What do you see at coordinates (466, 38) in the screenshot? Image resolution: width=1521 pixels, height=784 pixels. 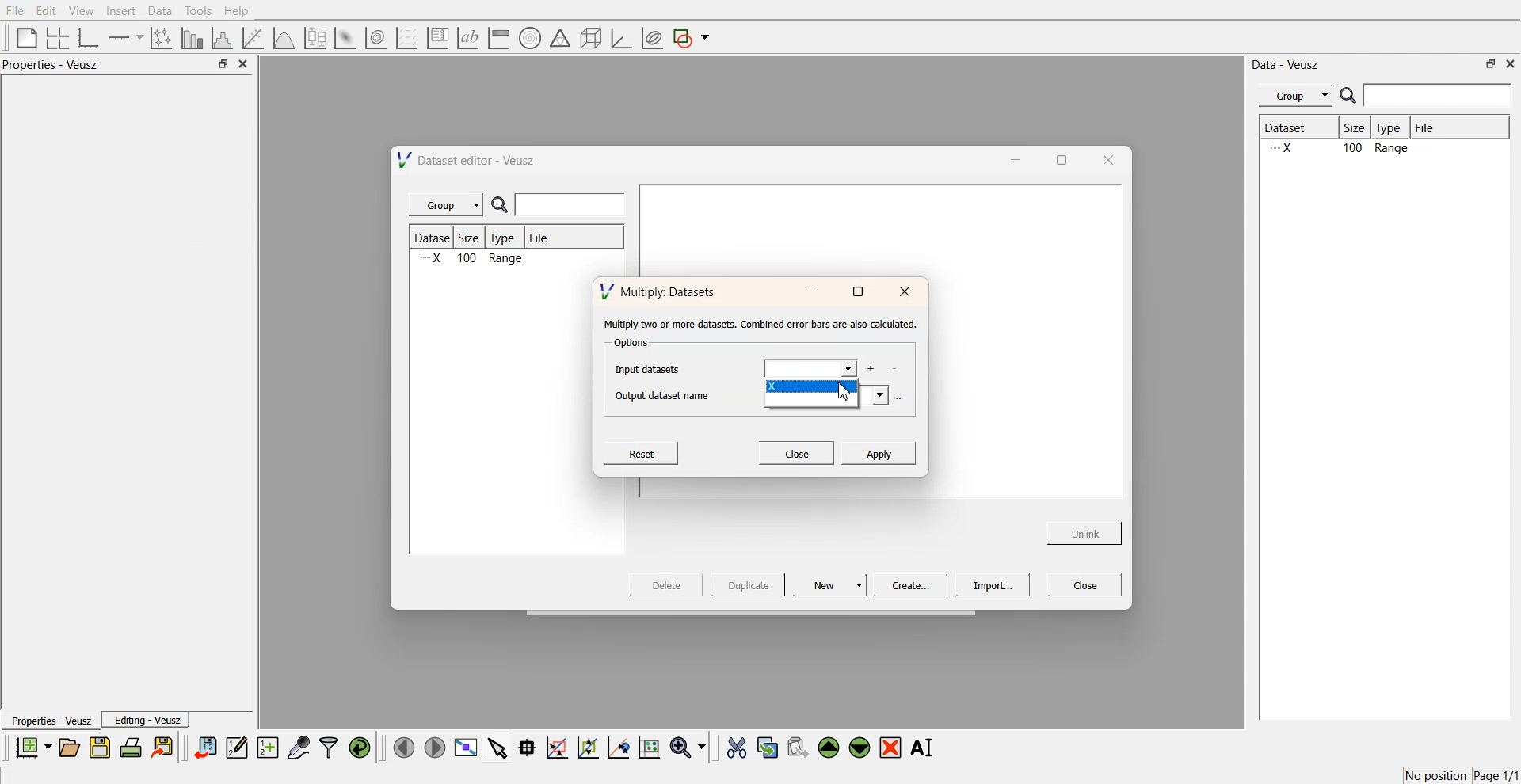 I see `text label` at bounding box center [466, 38].